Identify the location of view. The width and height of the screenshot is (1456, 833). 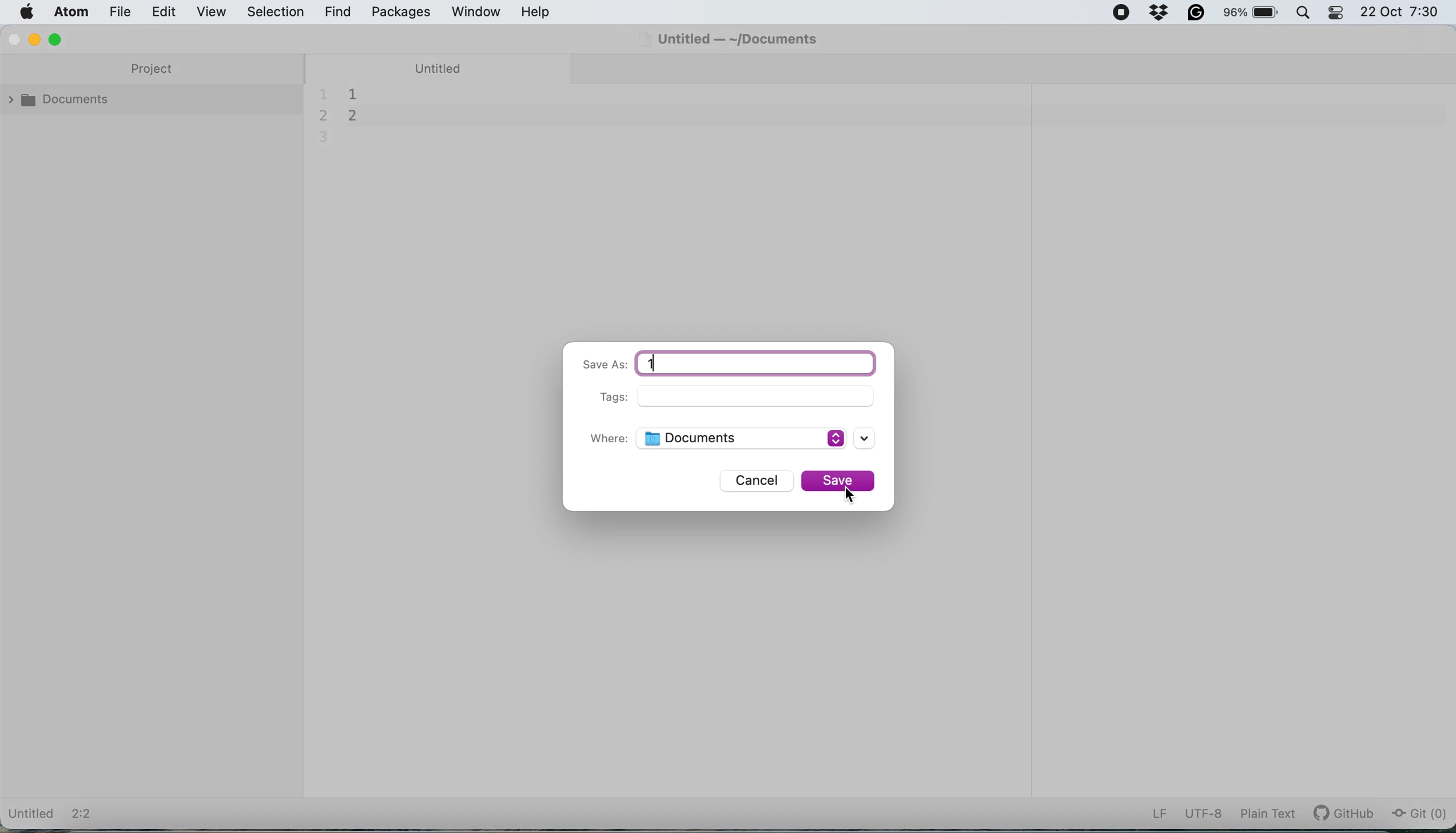
(214, 11).